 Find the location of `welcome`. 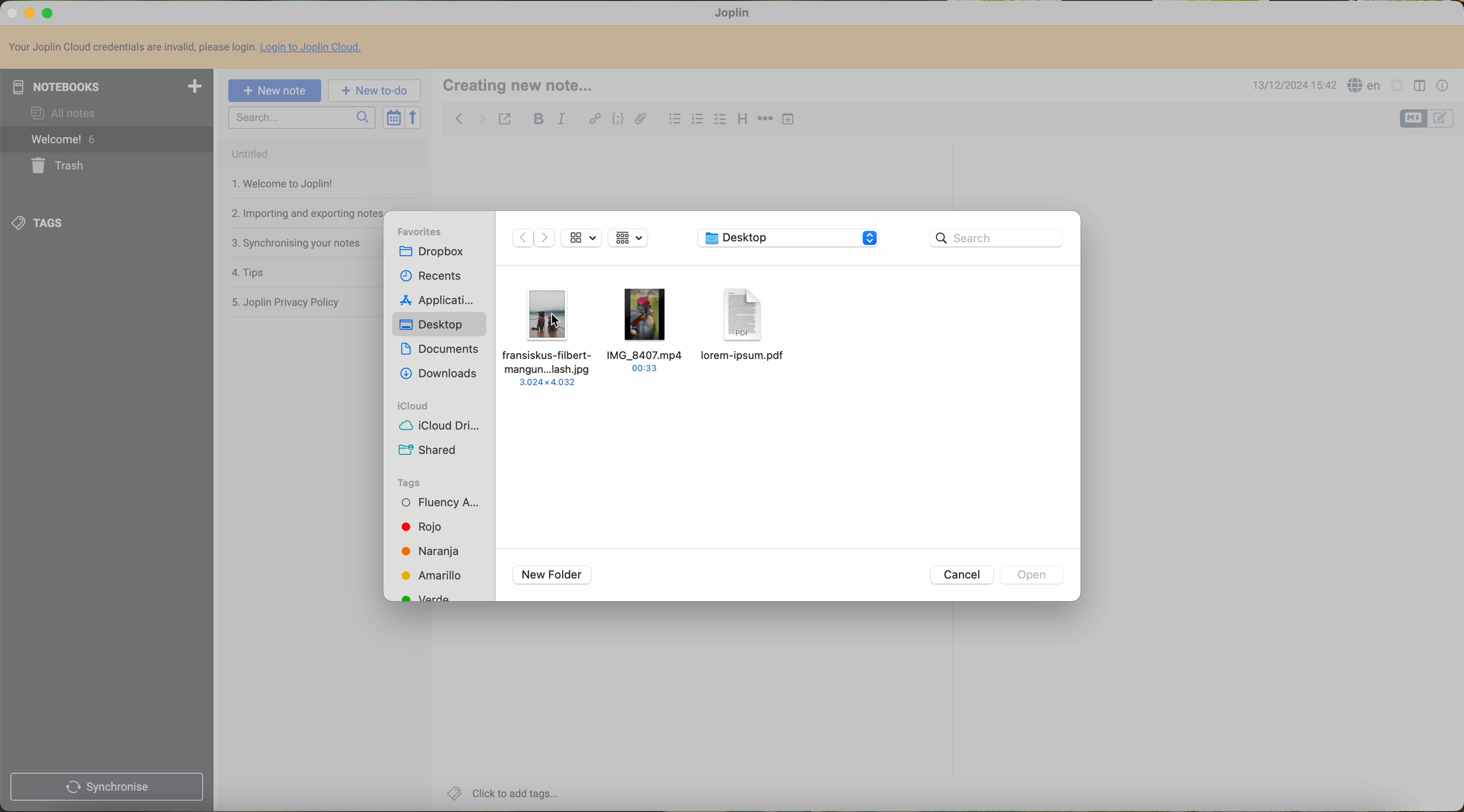

welcome is located at coordinates (107, 140).